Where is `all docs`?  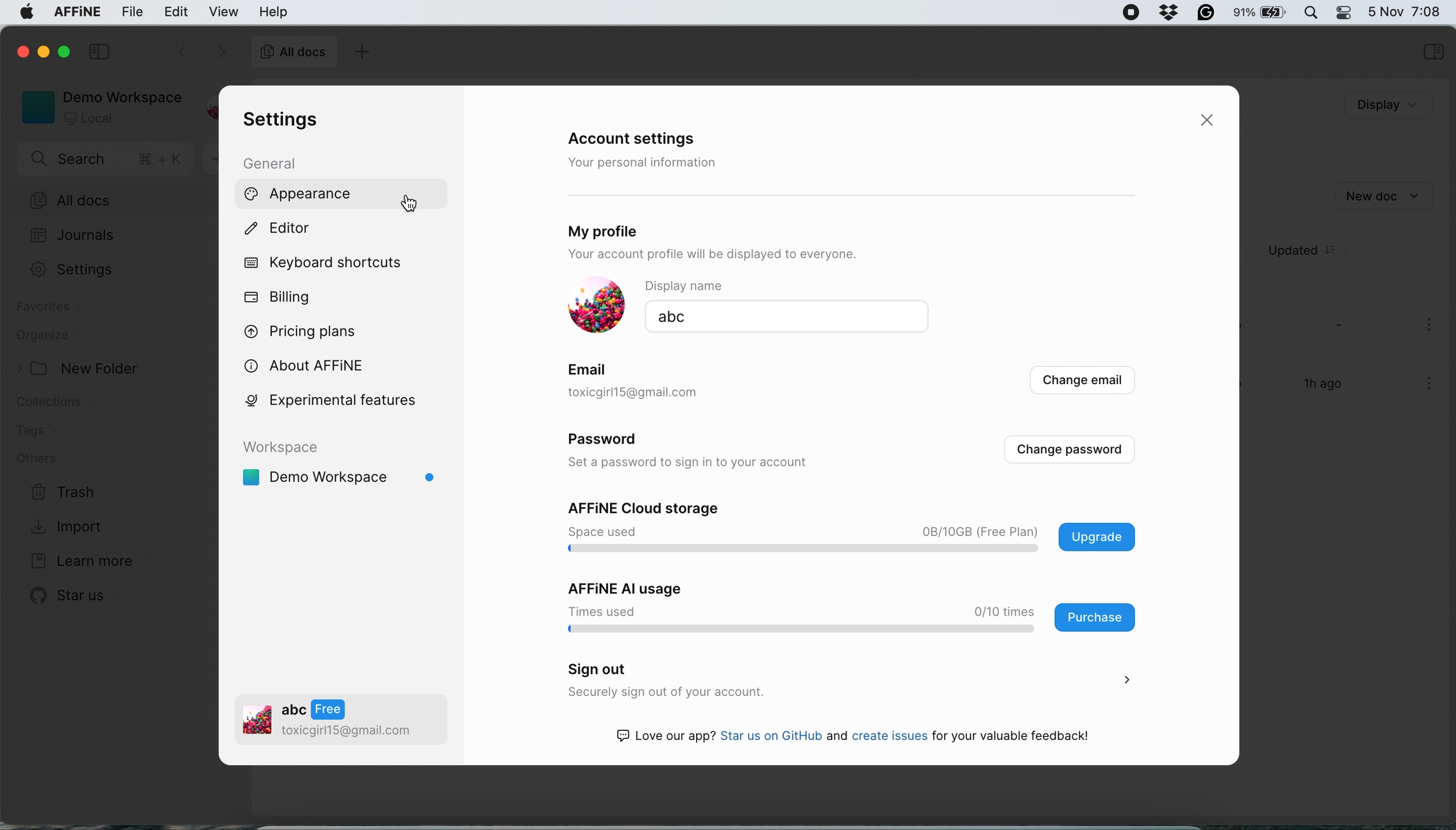
all docs is located at coordinates (106, 200).